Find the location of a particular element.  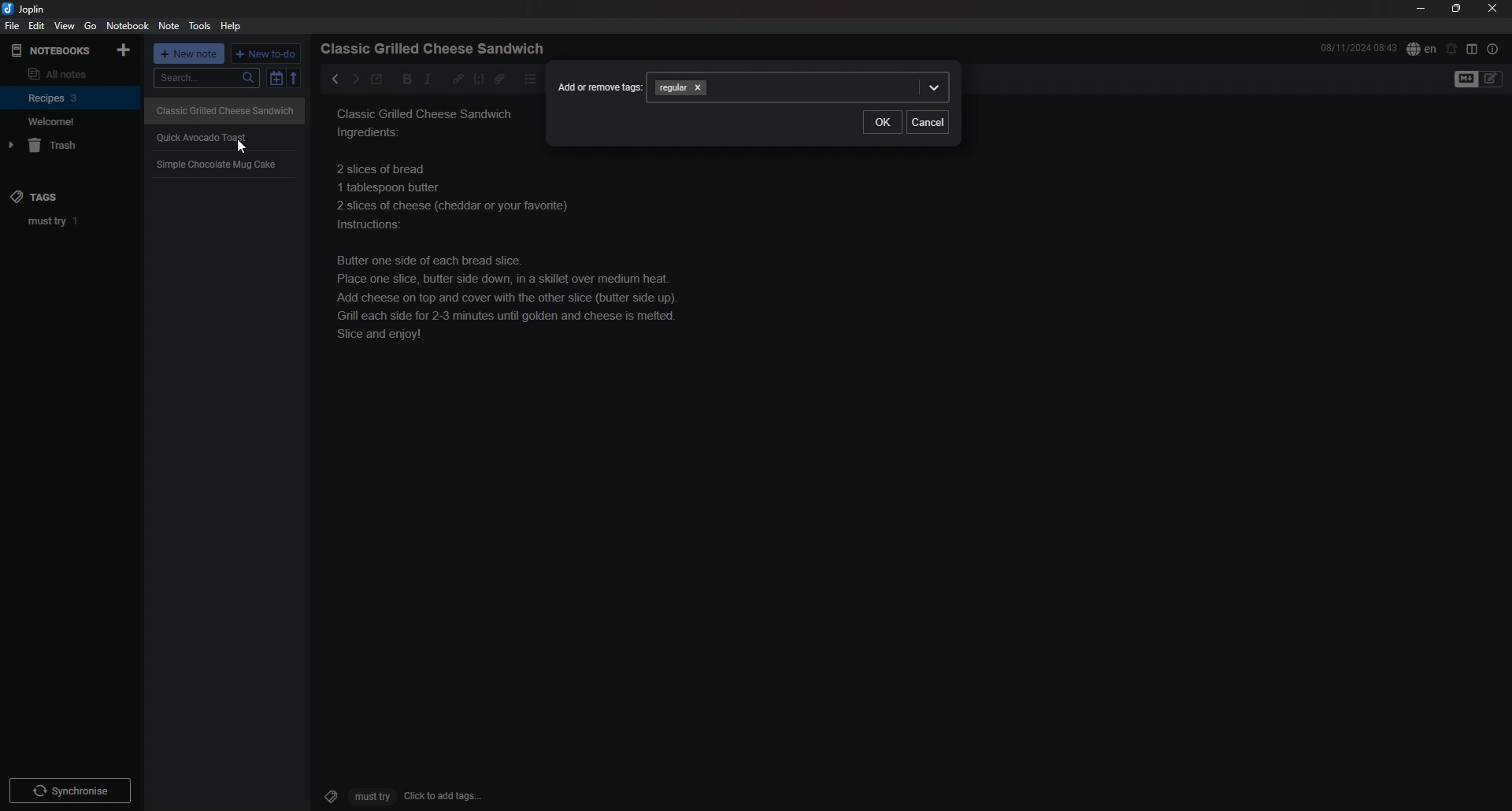

tools is located at coordinates (202, 26).